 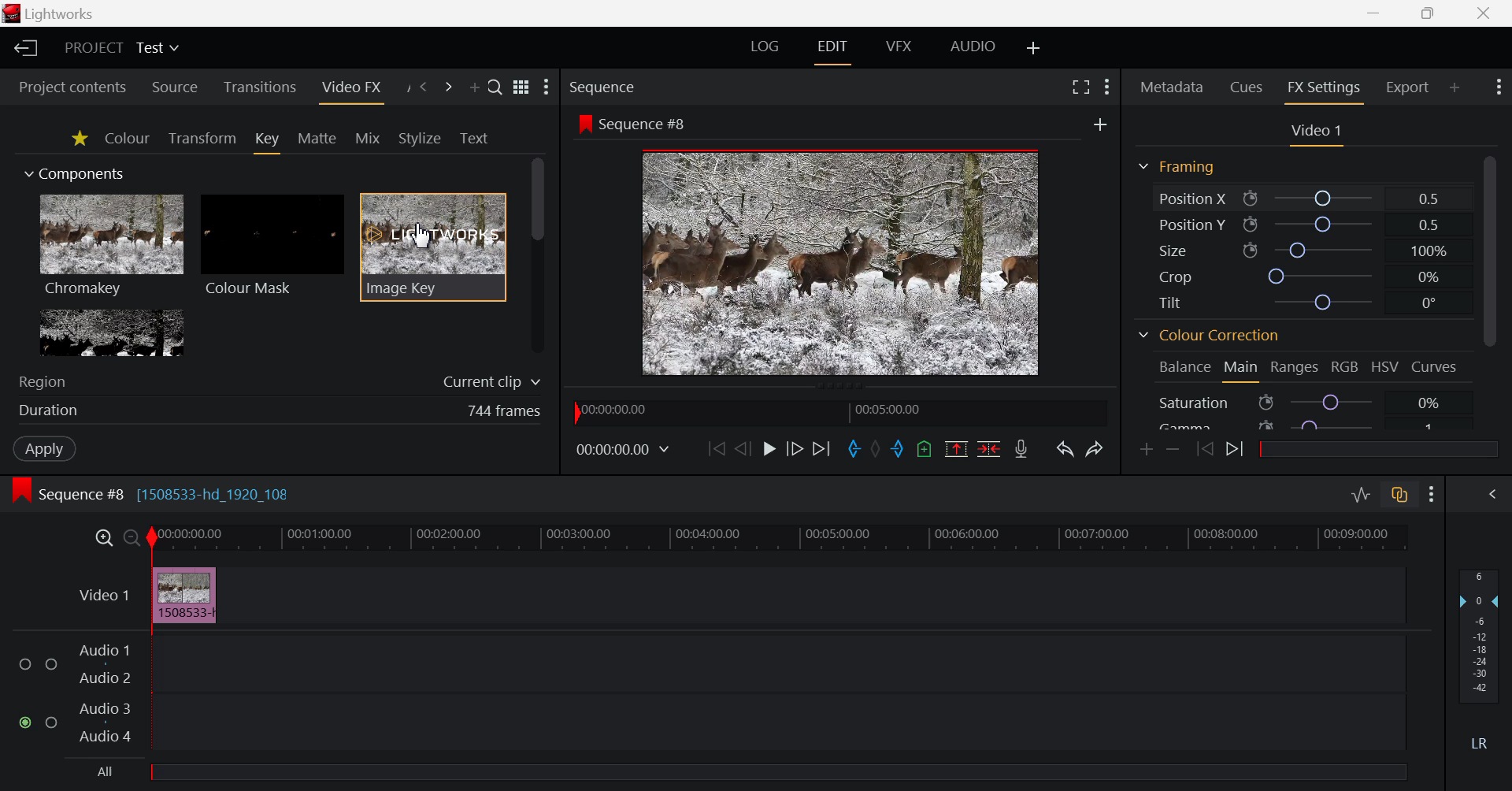 I want to click on To End, so click(x=824, y=448).